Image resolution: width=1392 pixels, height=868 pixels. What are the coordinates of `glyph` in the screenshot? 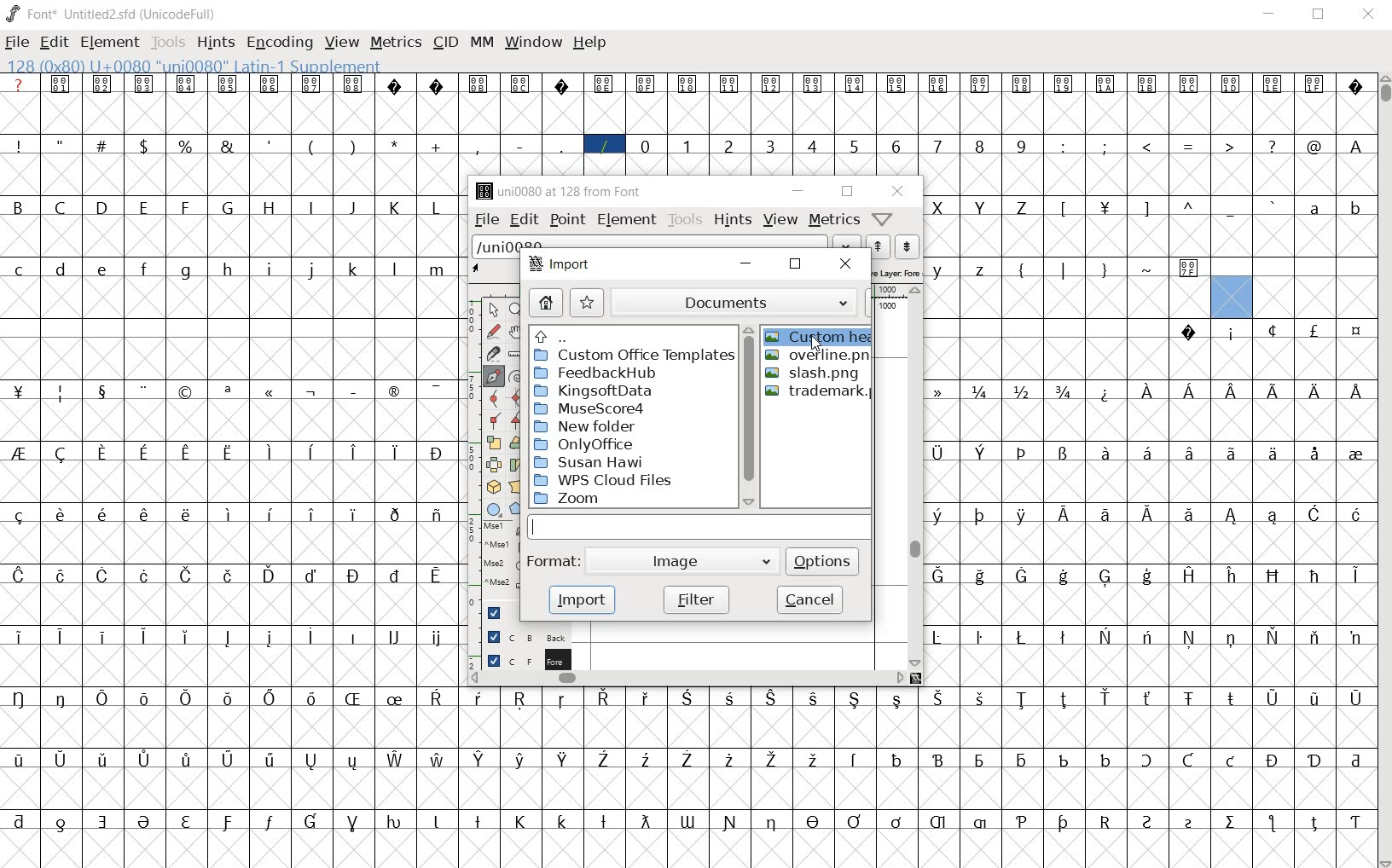 It's located at (1106, 452).